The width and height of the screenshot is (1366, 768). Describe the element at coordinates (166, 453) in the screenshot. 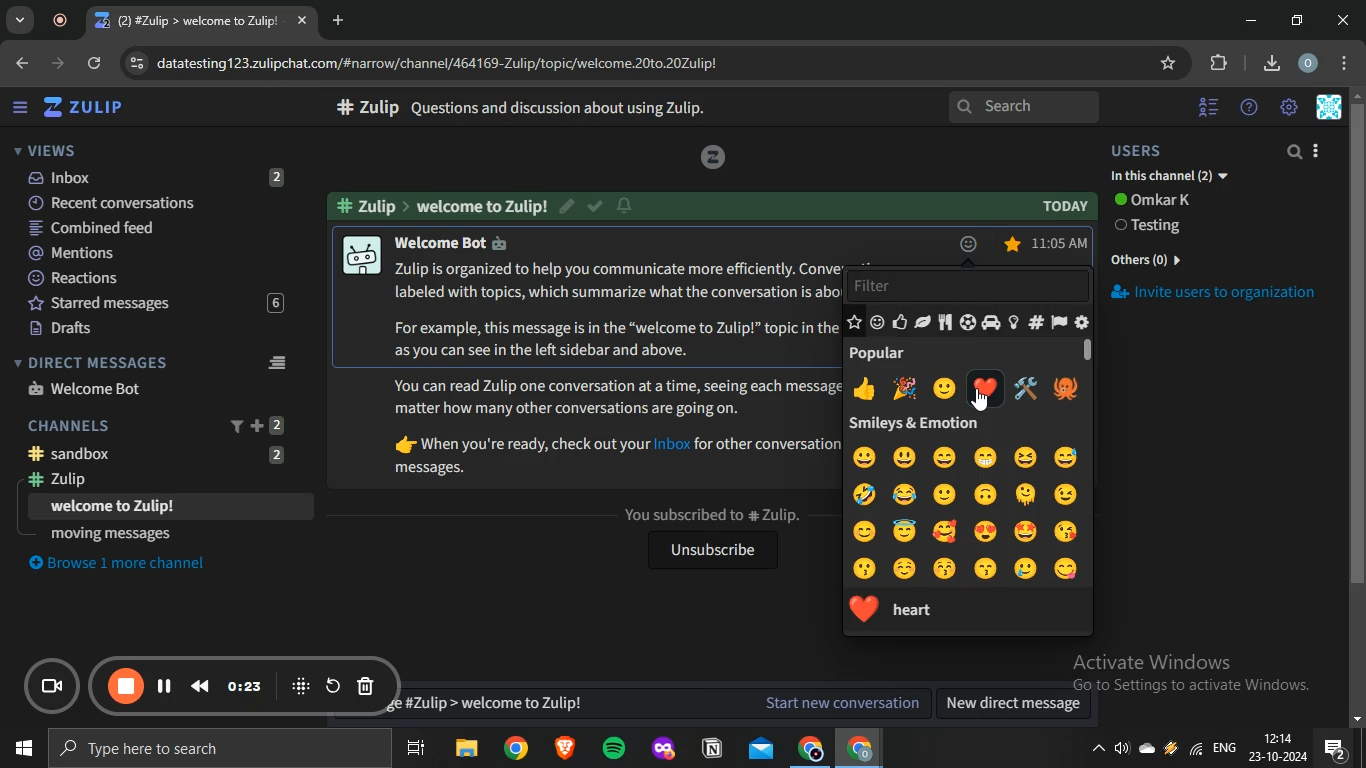

I see `sandbox` at that location.